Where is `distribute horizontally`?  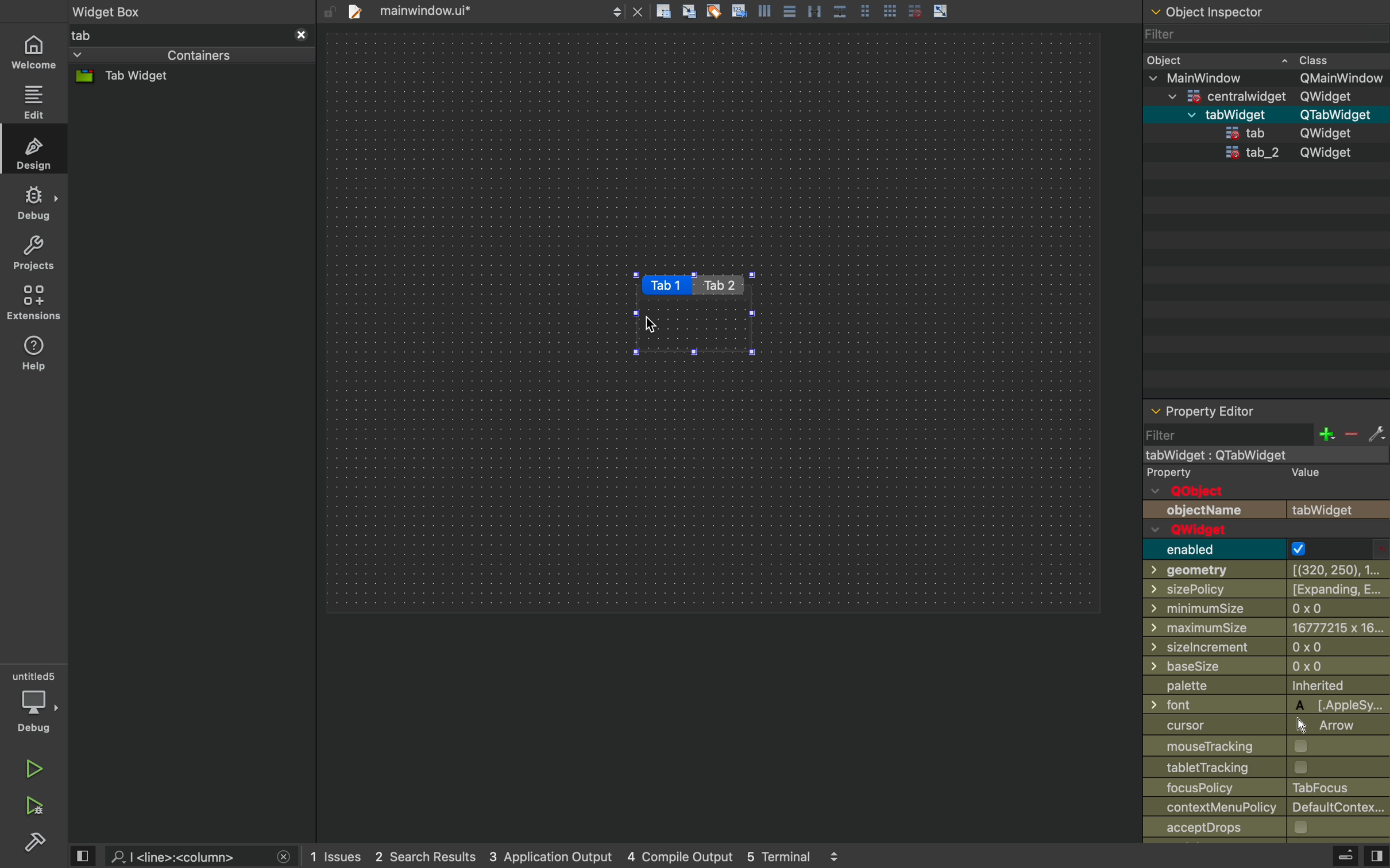 distribute horizontally is located at coordinates (814, 10).